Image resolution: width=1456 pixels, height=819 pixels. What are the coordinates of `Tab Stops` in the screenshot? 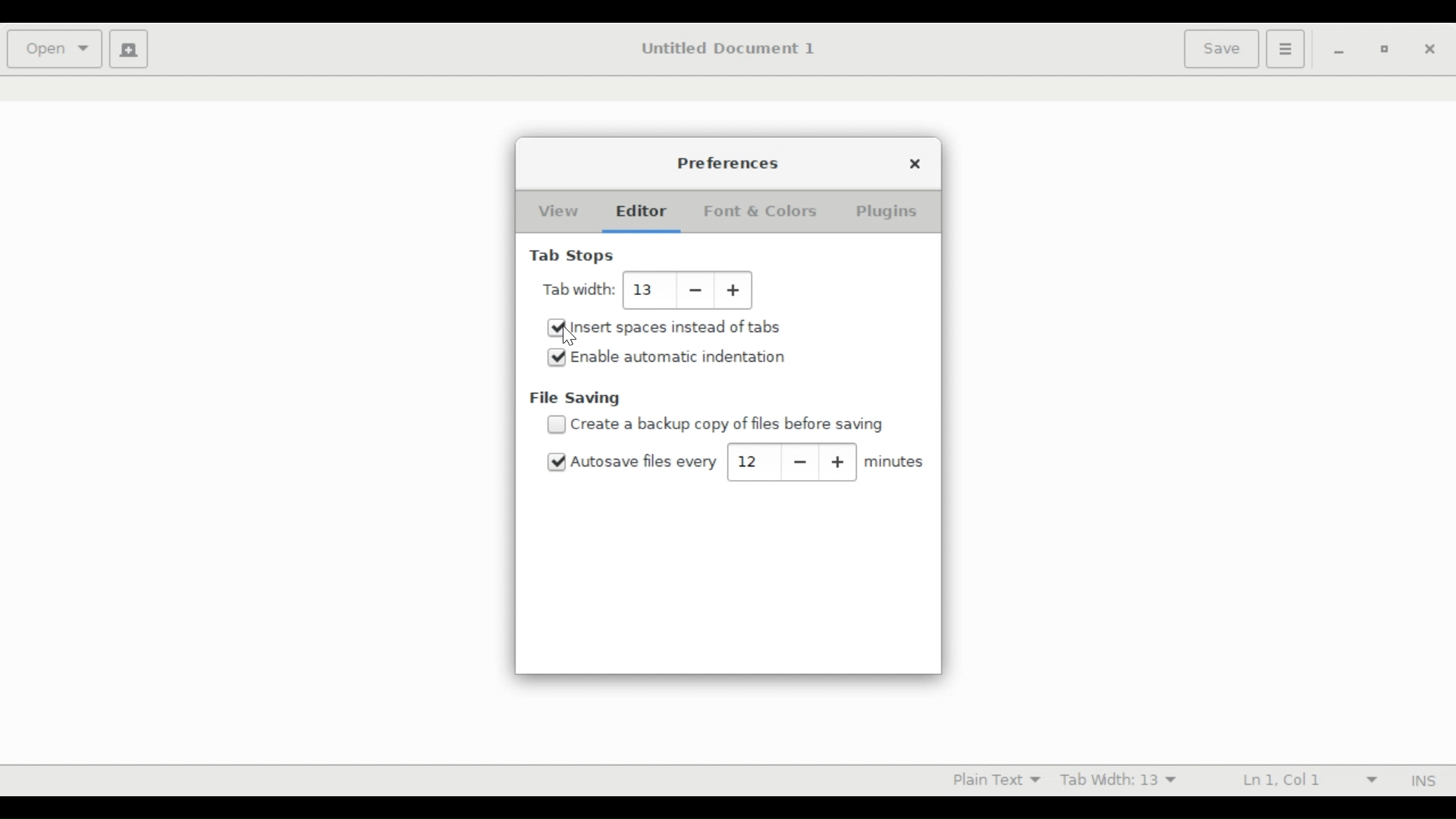 It's located at (574, 257).